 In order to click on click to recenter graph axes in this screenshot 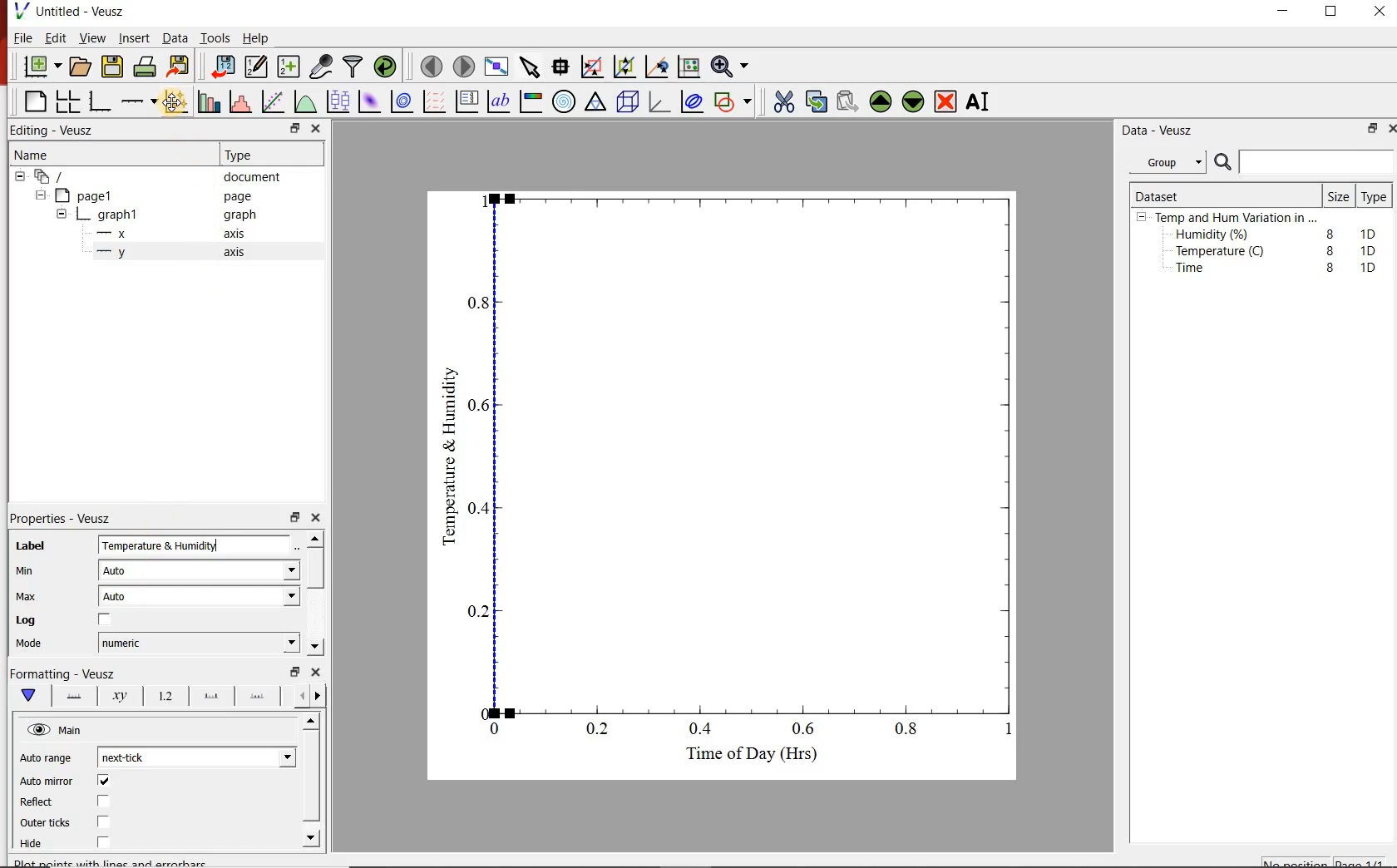, I will do `click(657, 67)`.